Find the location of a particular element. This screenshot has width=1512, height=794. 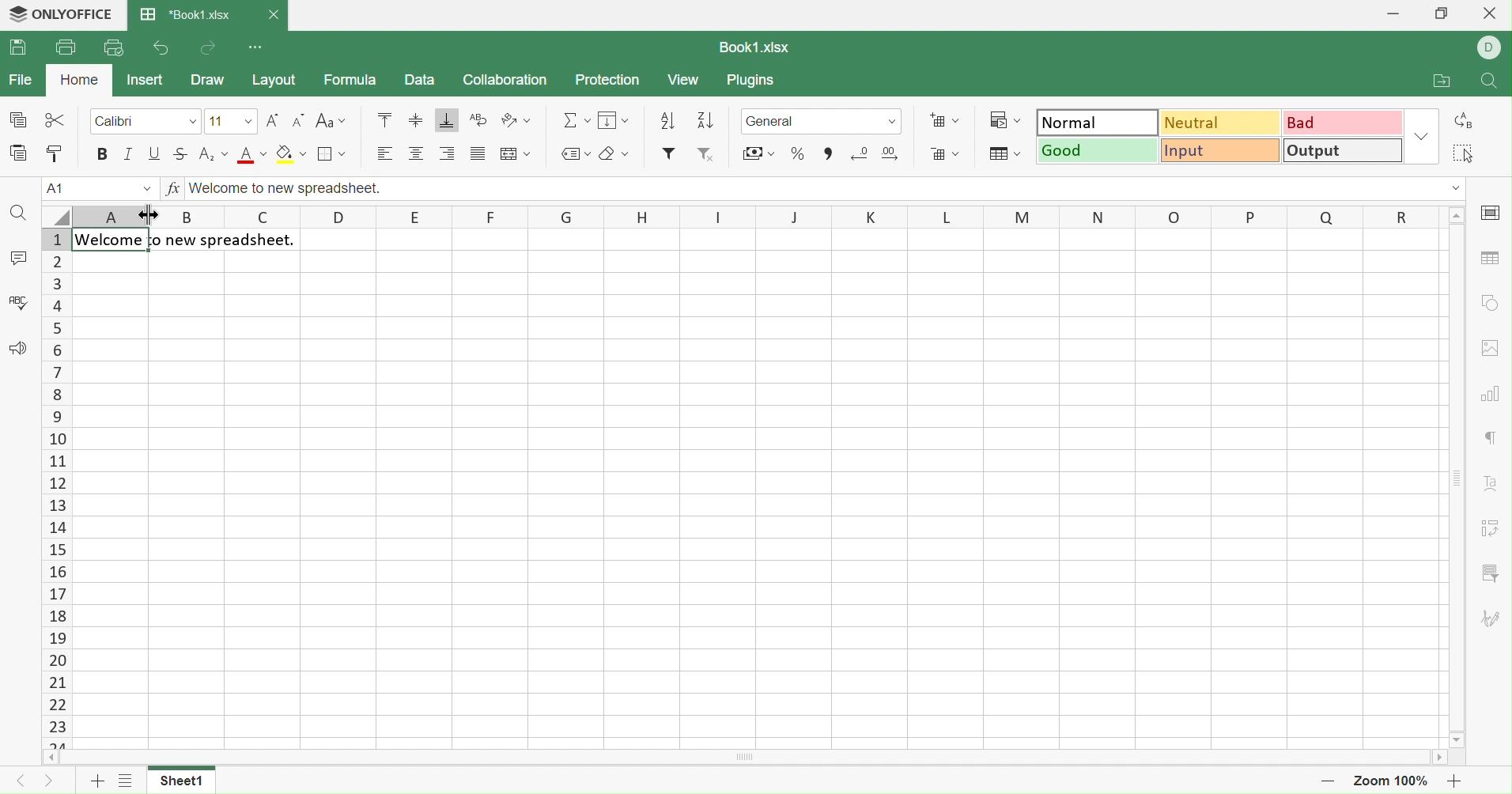

Insert cells is located at coordinates (943, 120).